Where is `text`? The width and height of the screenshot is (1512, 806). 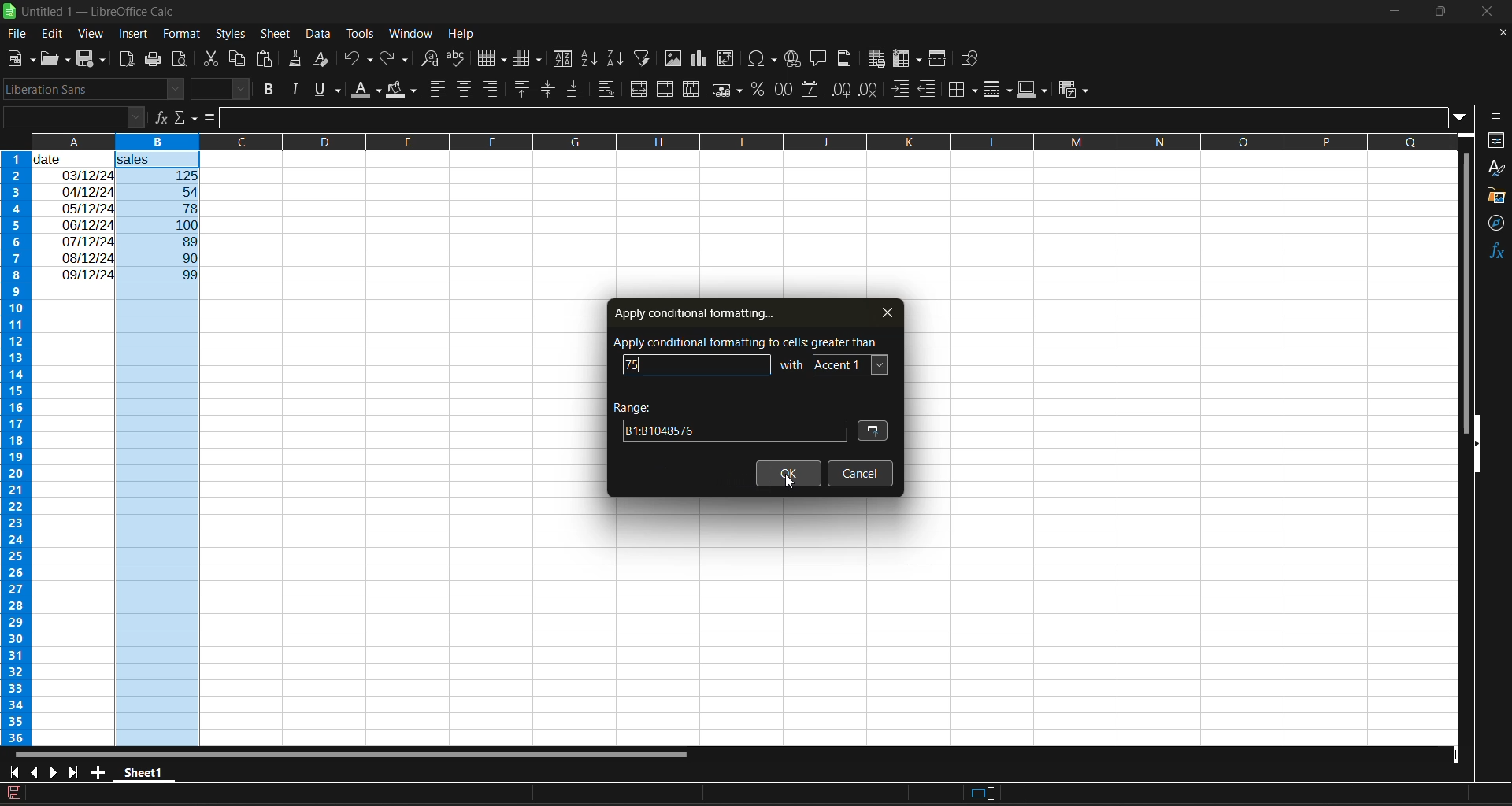 text is located at coordinates (793, 363).